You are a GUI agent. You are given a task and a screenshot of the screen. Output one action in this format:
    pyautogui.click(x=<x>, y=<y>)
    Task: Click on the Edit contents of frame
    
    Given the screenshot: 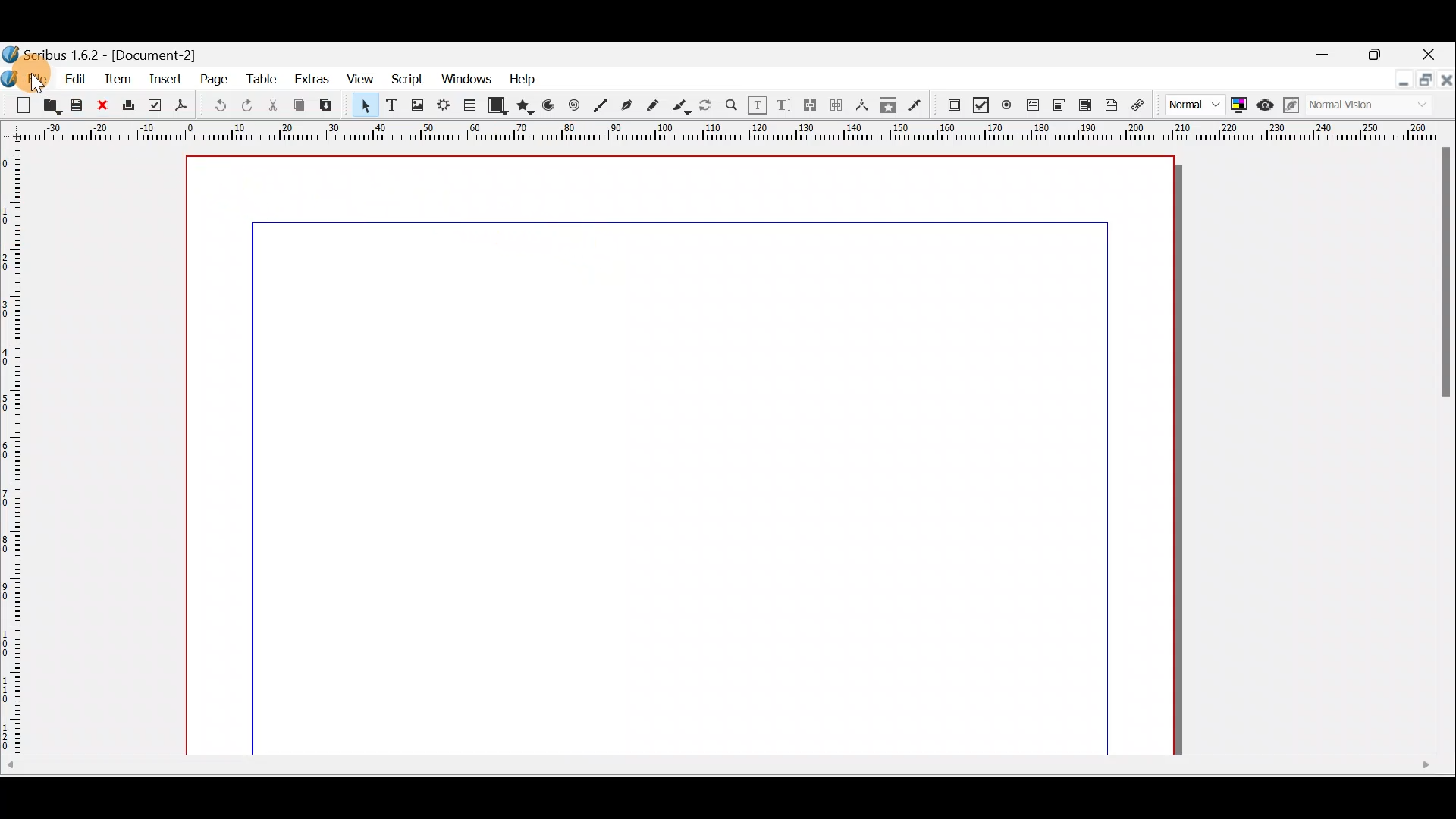 What is the action you would take?
    pyautogui.click(x=759, y=106)
    